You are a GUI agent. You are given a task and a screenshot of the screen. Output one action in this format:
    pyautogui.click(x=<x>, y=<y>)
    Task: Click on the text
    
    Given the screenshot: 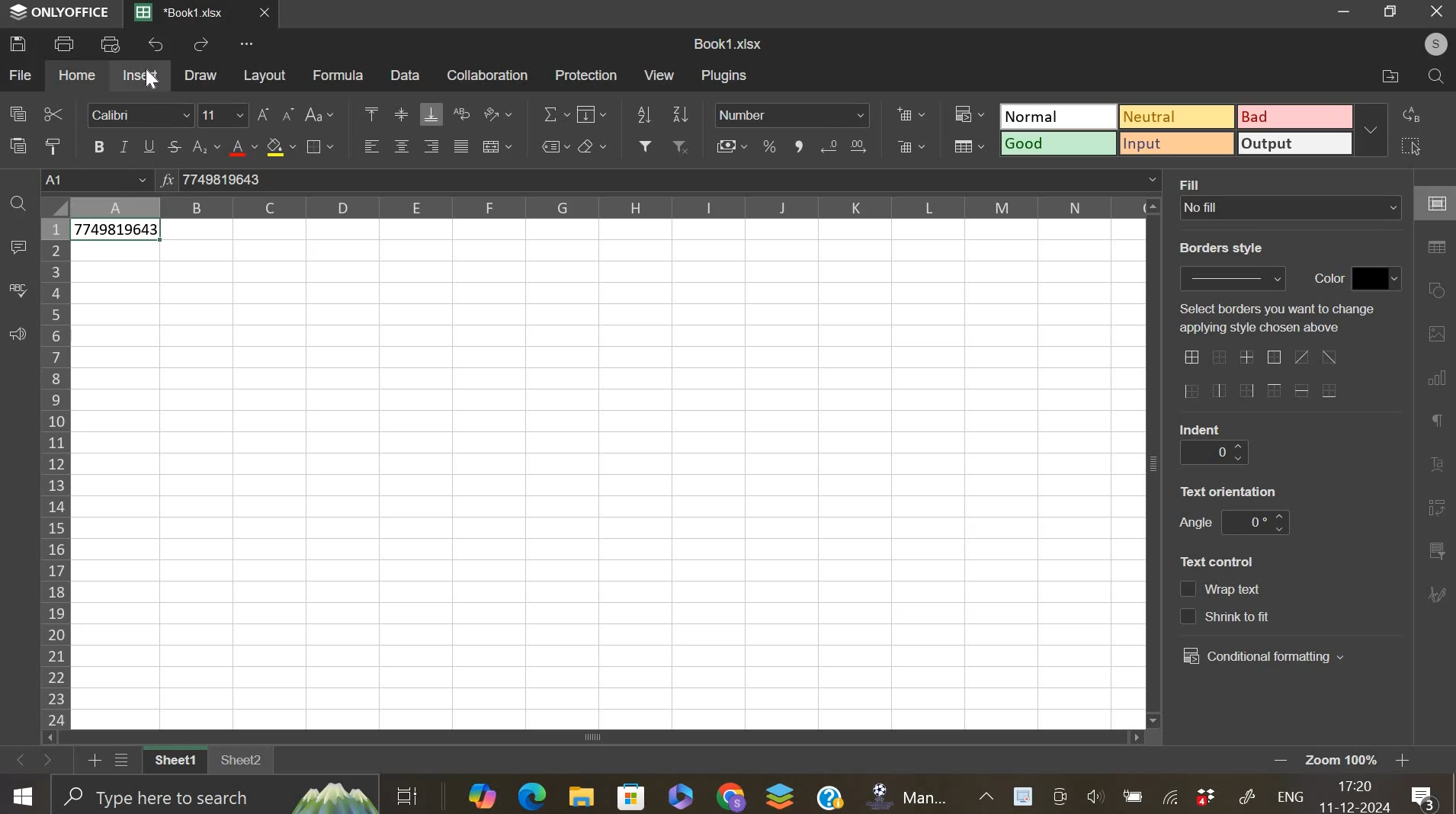 What is the action you would take?
    pyautogui.click(x=1220, y=248)
    